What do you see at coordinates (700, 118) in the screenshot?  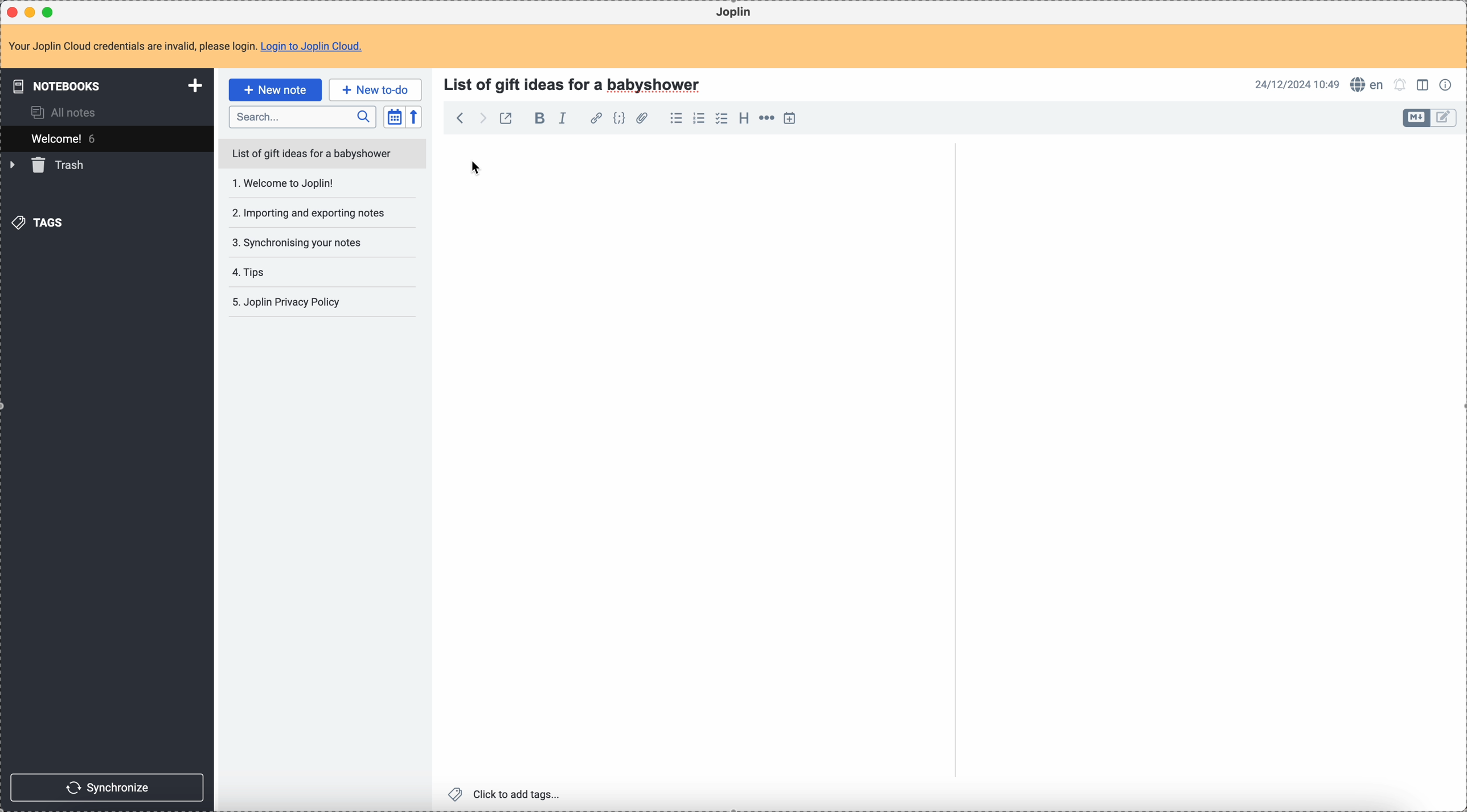 I see `numbered list` at bounding box center [700, 118].